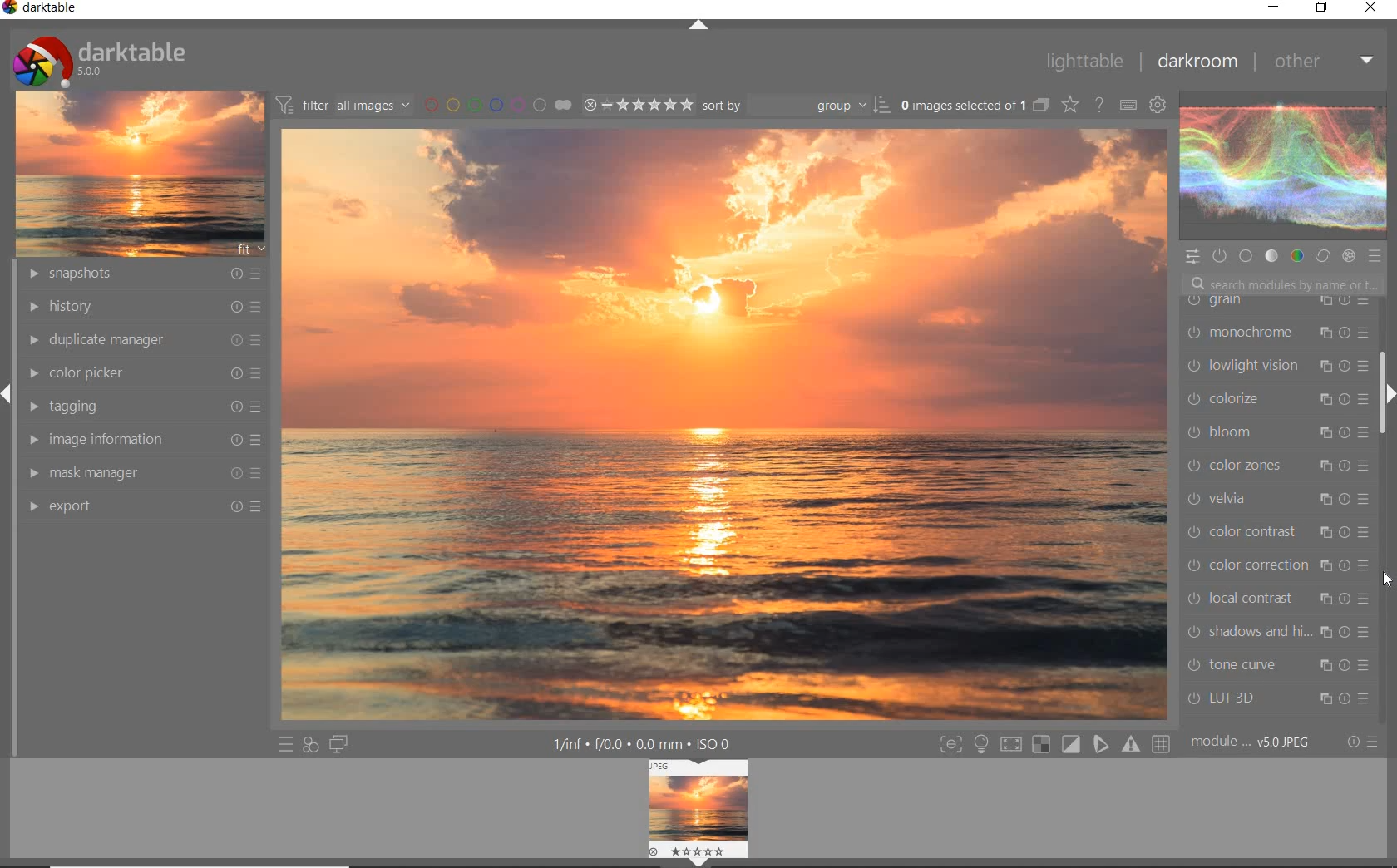 The width and height of the screenshot is (1397, 868). What do you see at coordinates (960, 105) in the screenshot?
I see `SELSECTED IMAGE` at bounding box center [960, 105].